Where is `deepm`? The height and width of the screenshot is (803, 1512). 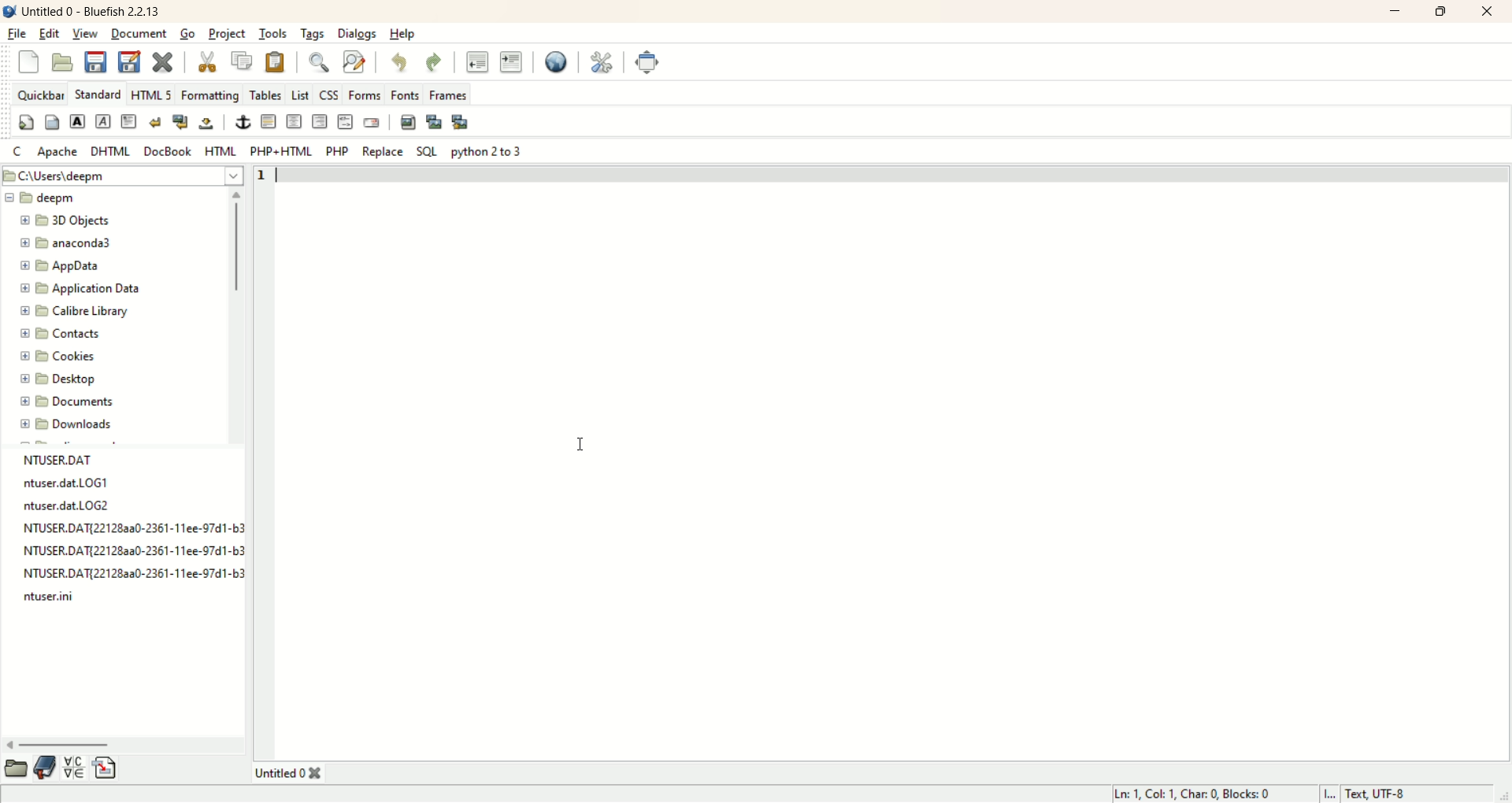
deepm is located at coordinates (43, 199).